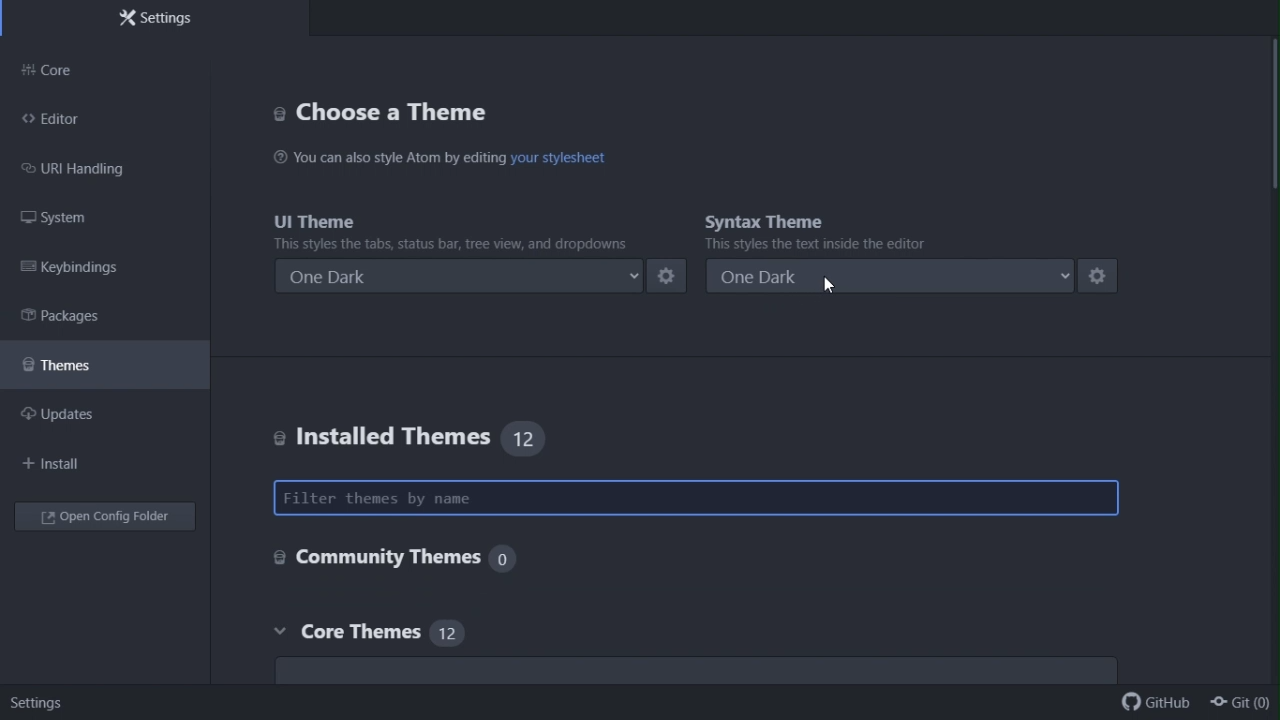 This screenshot has width=1280, height=720. What do you see at coordinates (91, 170) in the screenshot?
I see `URI handling` at bounding box center [91, 170].